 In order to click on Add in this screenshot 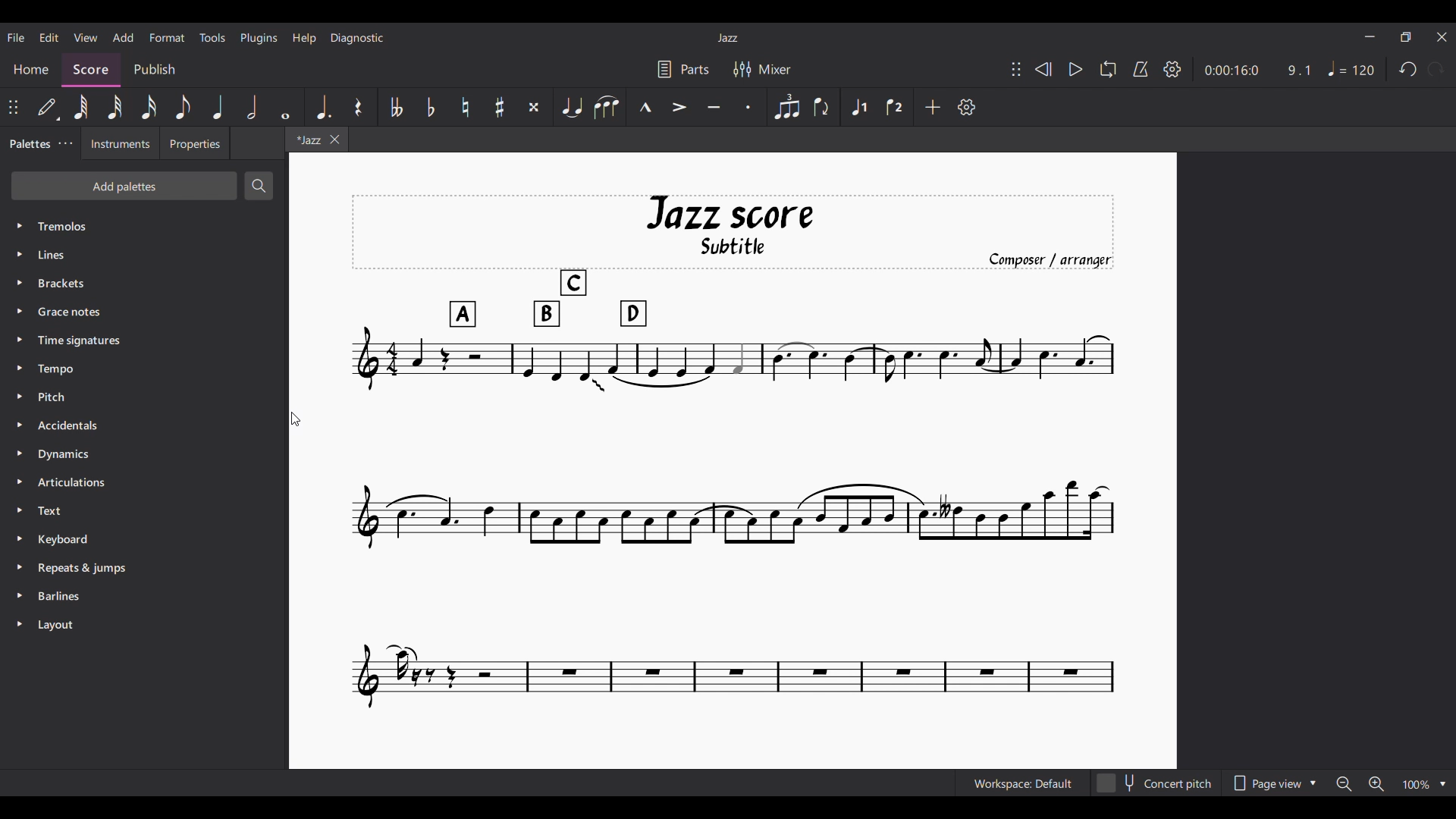, I will do `click(934, 107)`.